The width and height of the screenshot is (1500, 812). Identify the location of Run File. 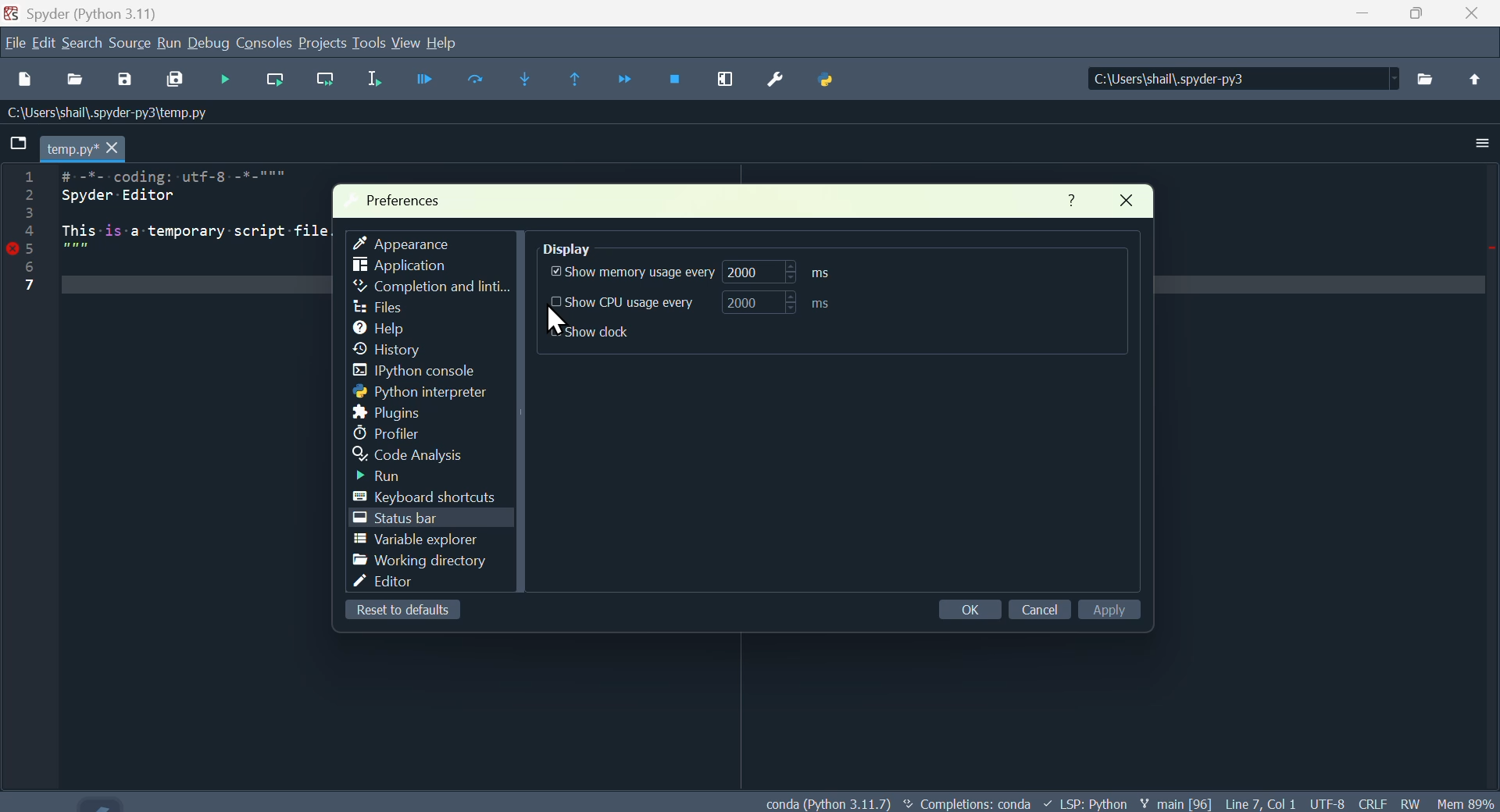
(414, 77).